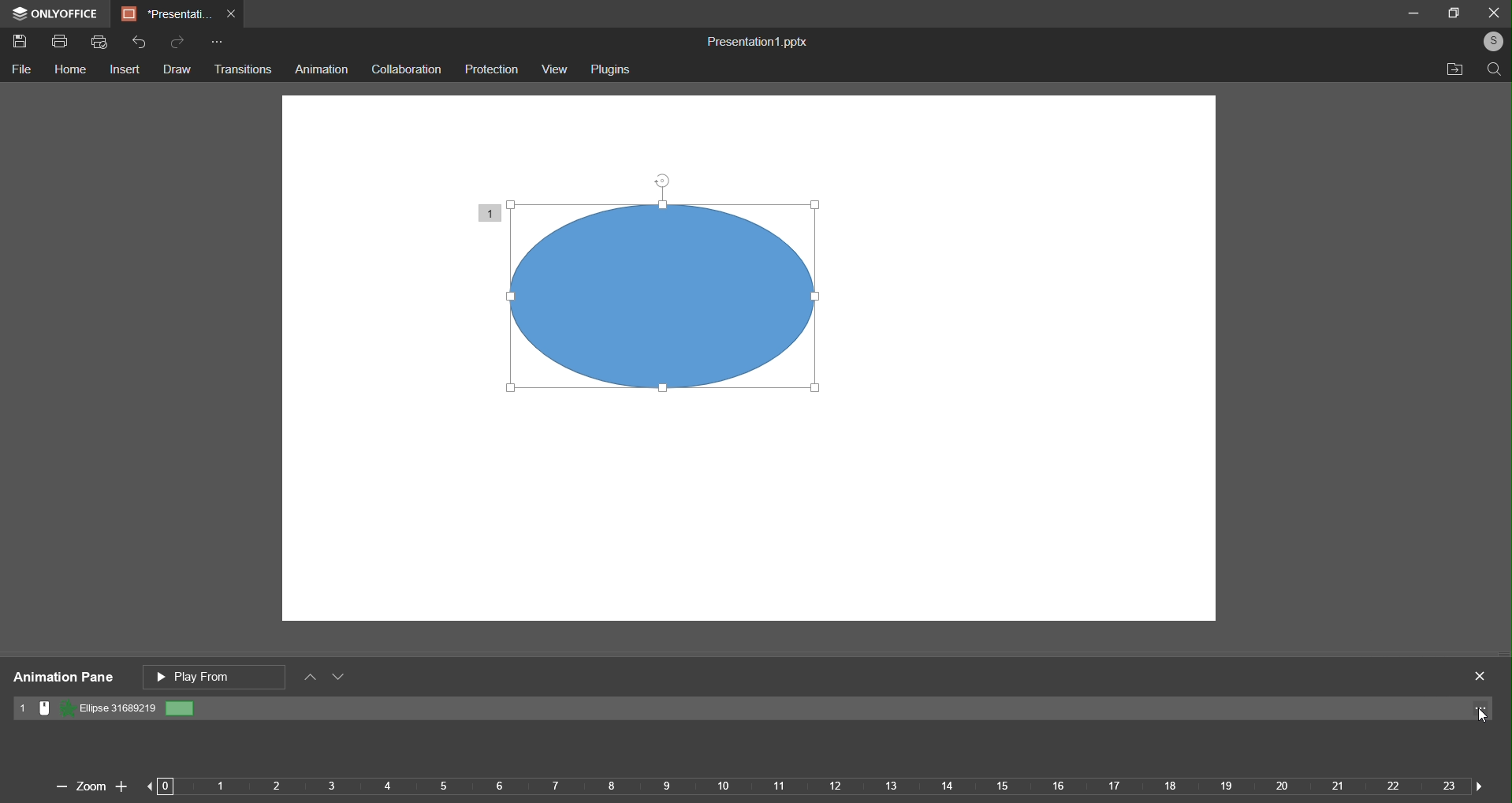 Image resolution: width=1512 pixels, height=803 pixels. I want to click on draw, so click(177, 69).